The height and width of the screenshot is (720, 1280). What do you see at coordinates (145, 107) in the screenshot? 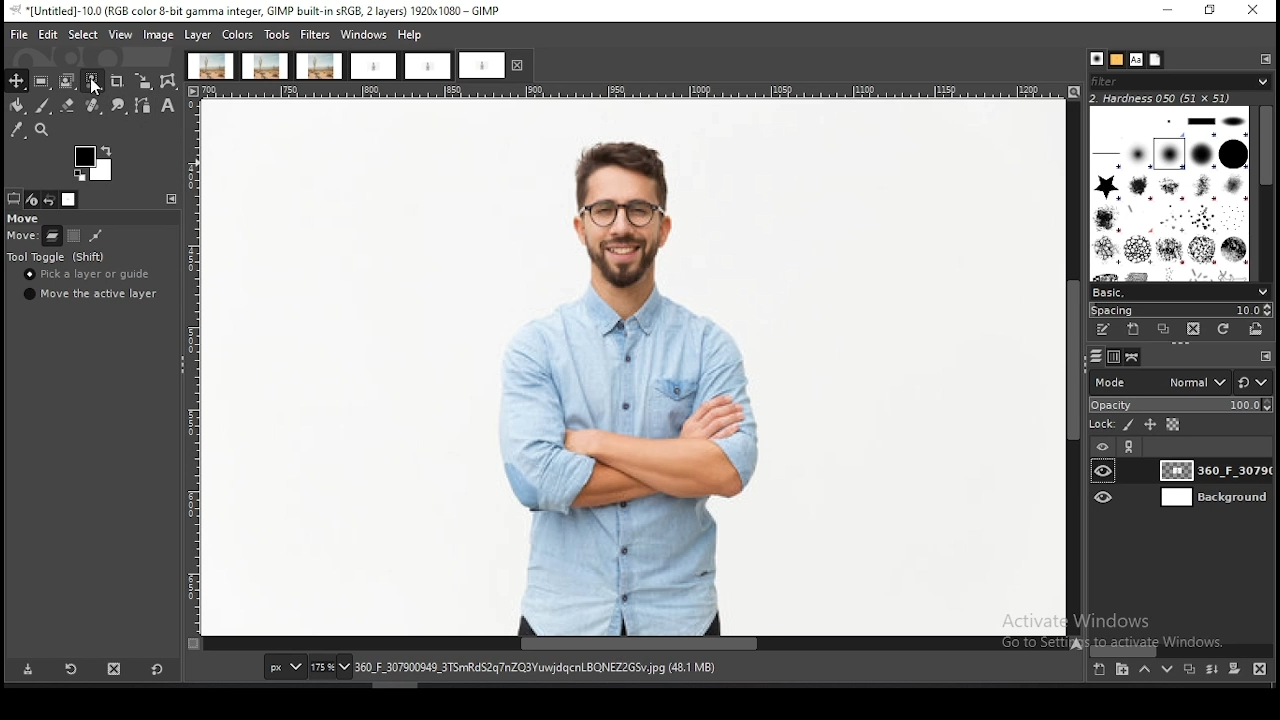
I see `paths tool` at bounding box center [145, 107].